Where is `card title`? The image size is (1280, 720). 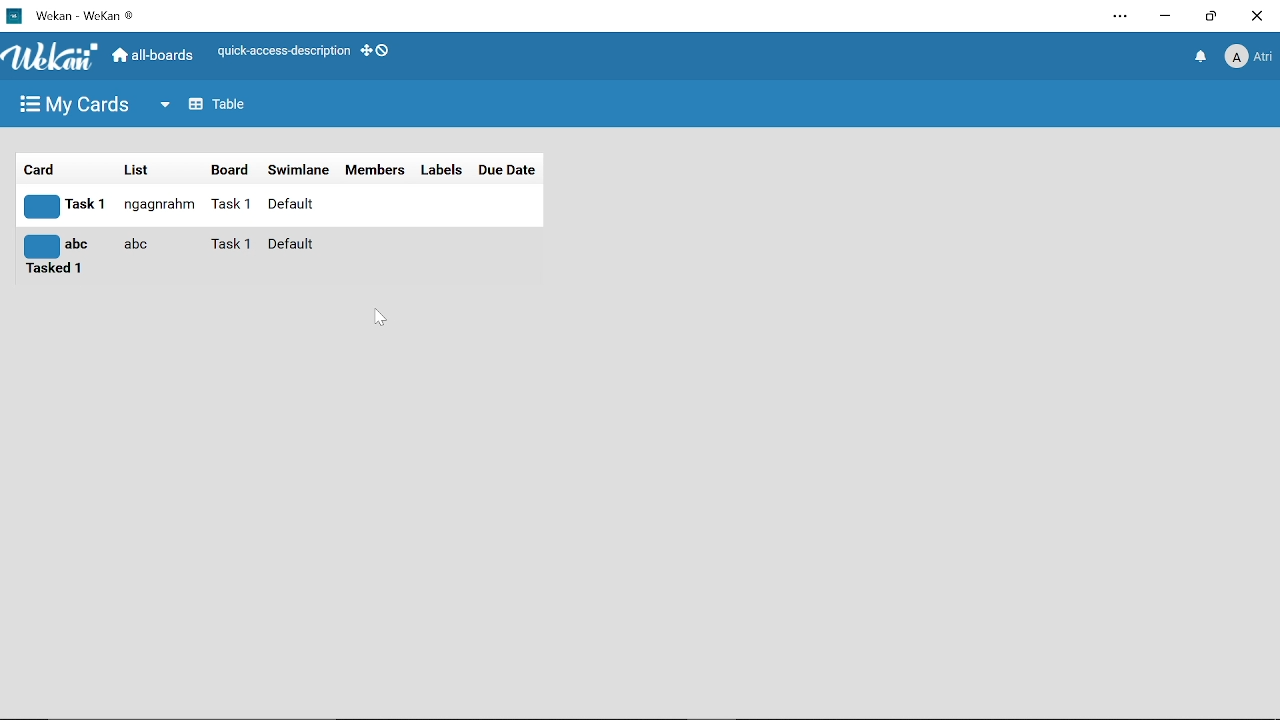 card title is located at coordinates (67, 206).